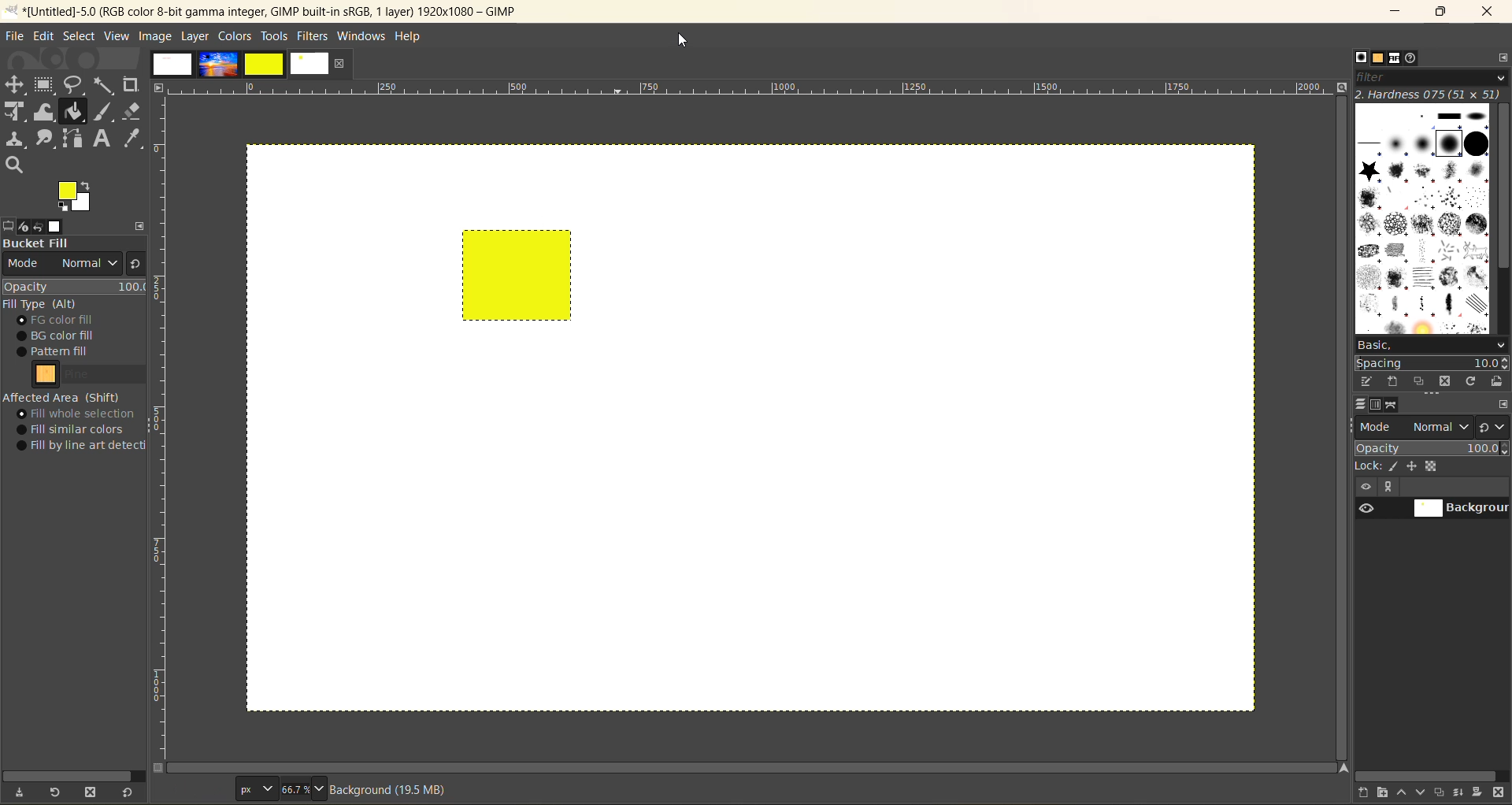 The width and height of the screenshot is (1512, 805). I want to click on images, so click(239, 67).